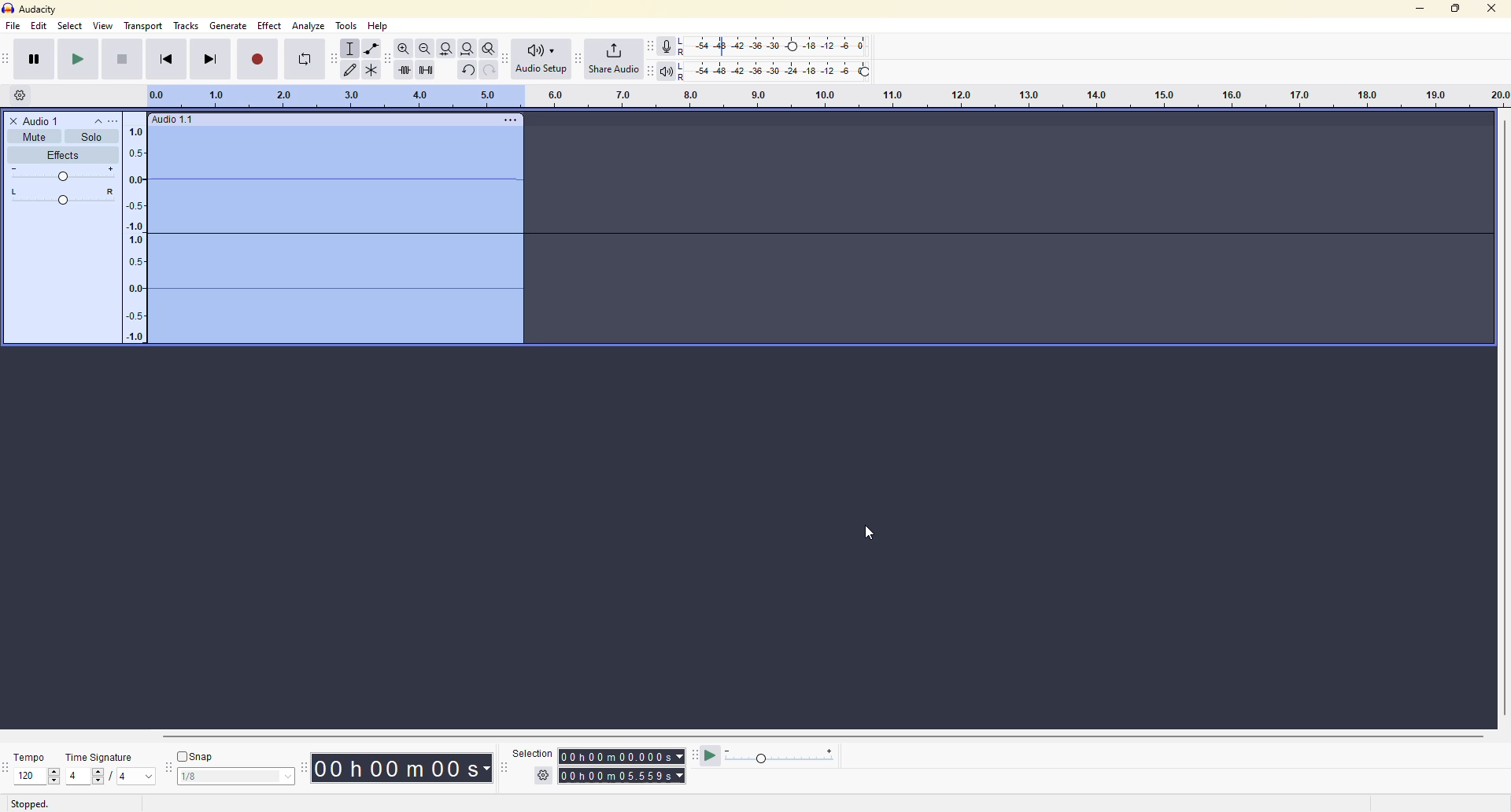 Image resolution: width=1511 pixels, height=812 pixels. Describe the element at coordinates (614, 58) in the screenshot. I see `share audio` at that location.